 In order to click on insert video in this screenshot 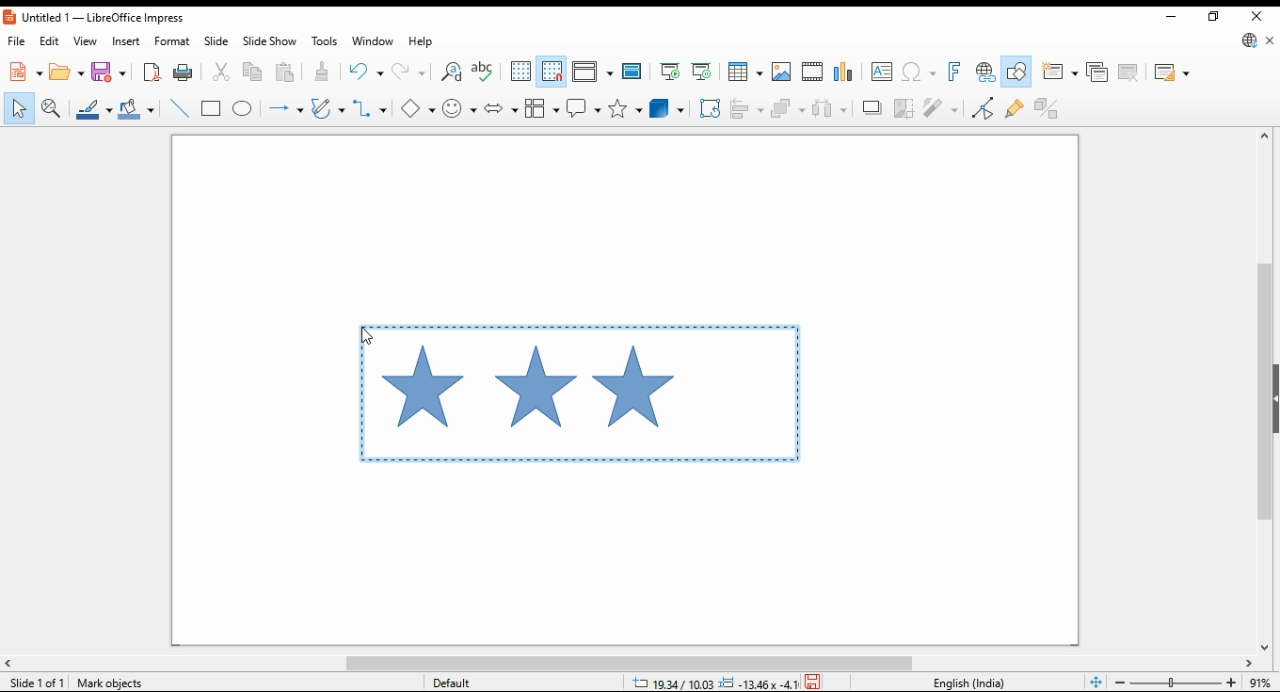, I will do `click(812, 70)`.